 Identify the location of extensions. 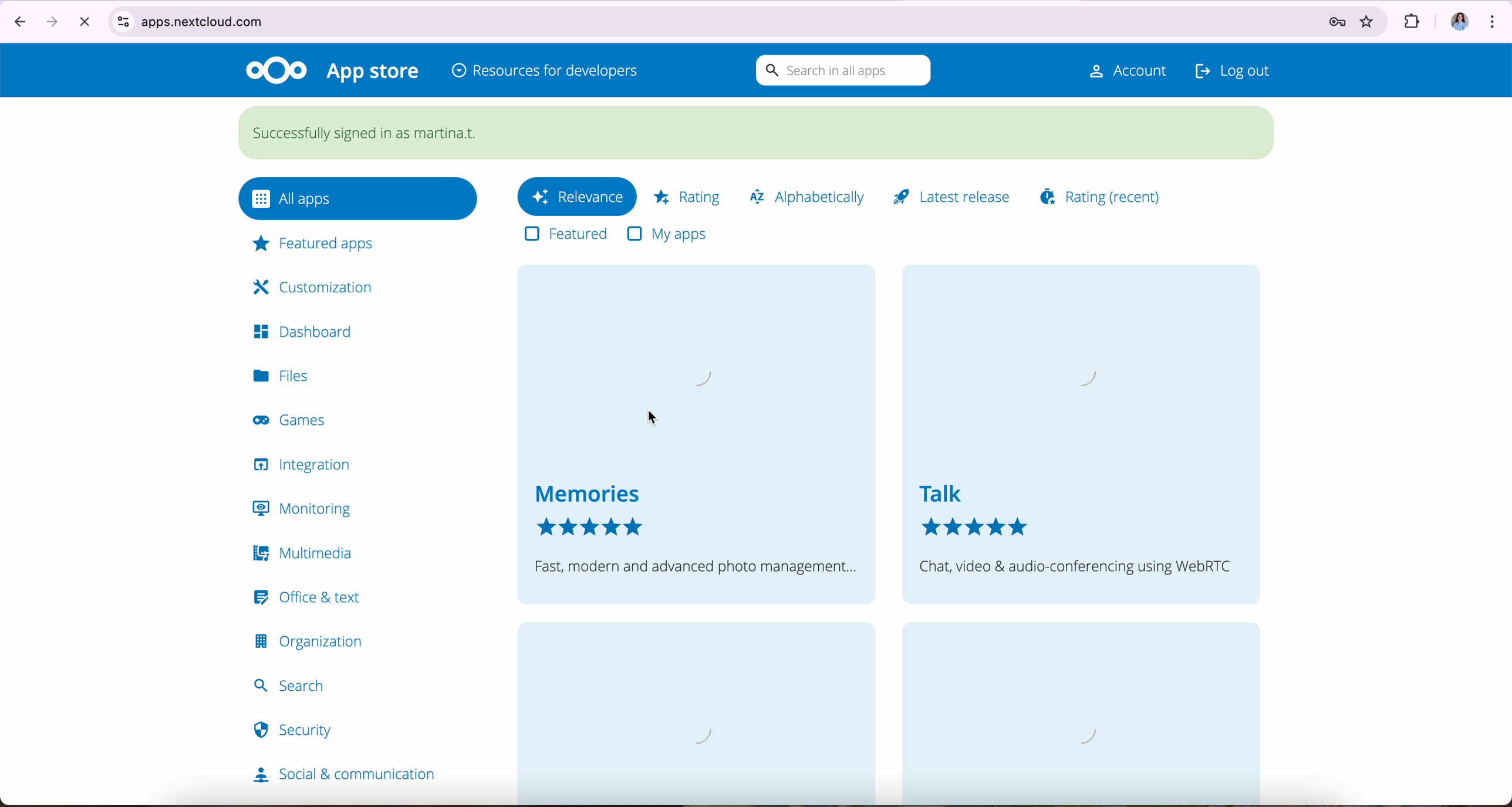
(1419, 22).